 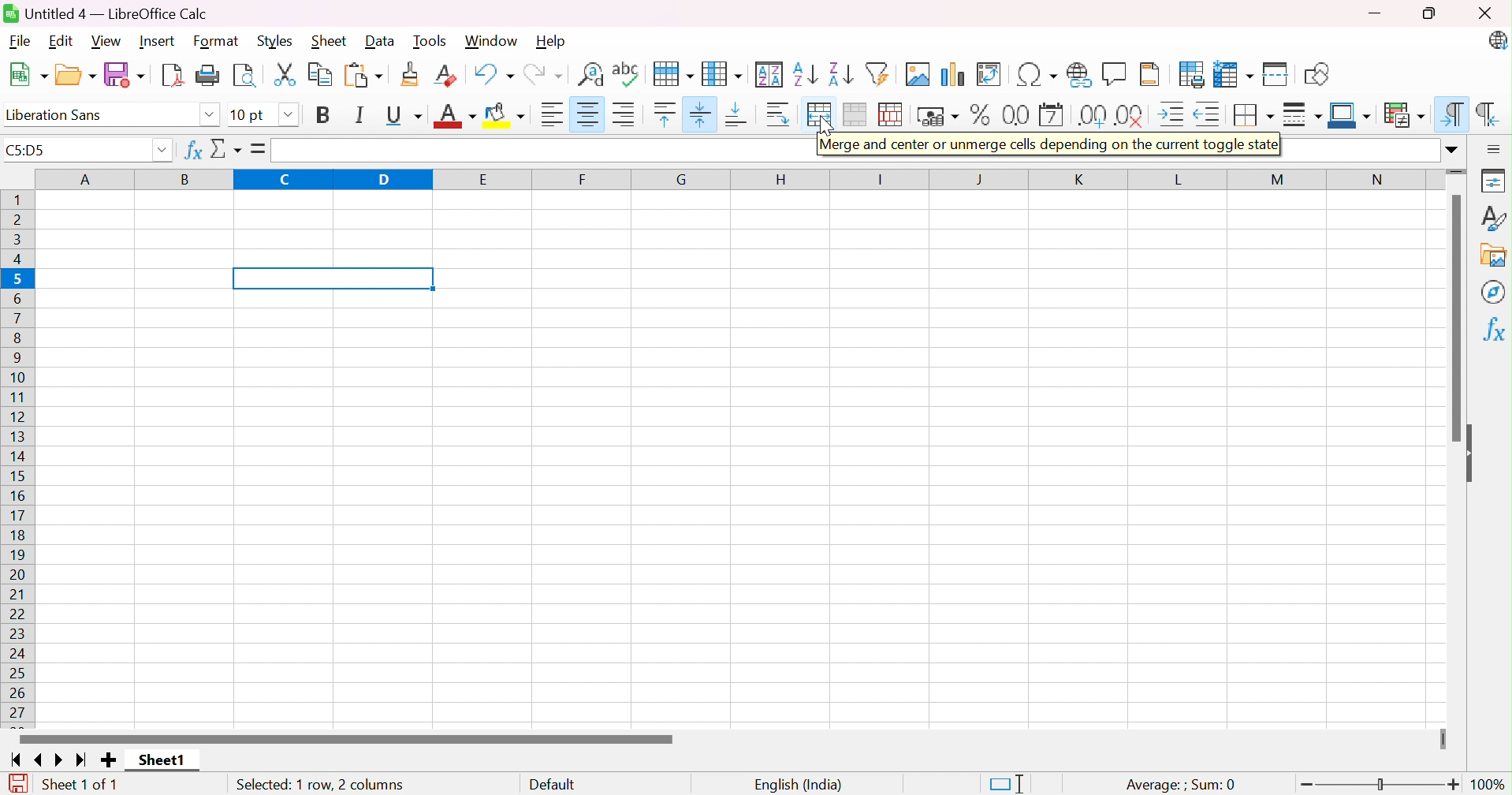 I want to click on Redo, so click(x=546, y=73).